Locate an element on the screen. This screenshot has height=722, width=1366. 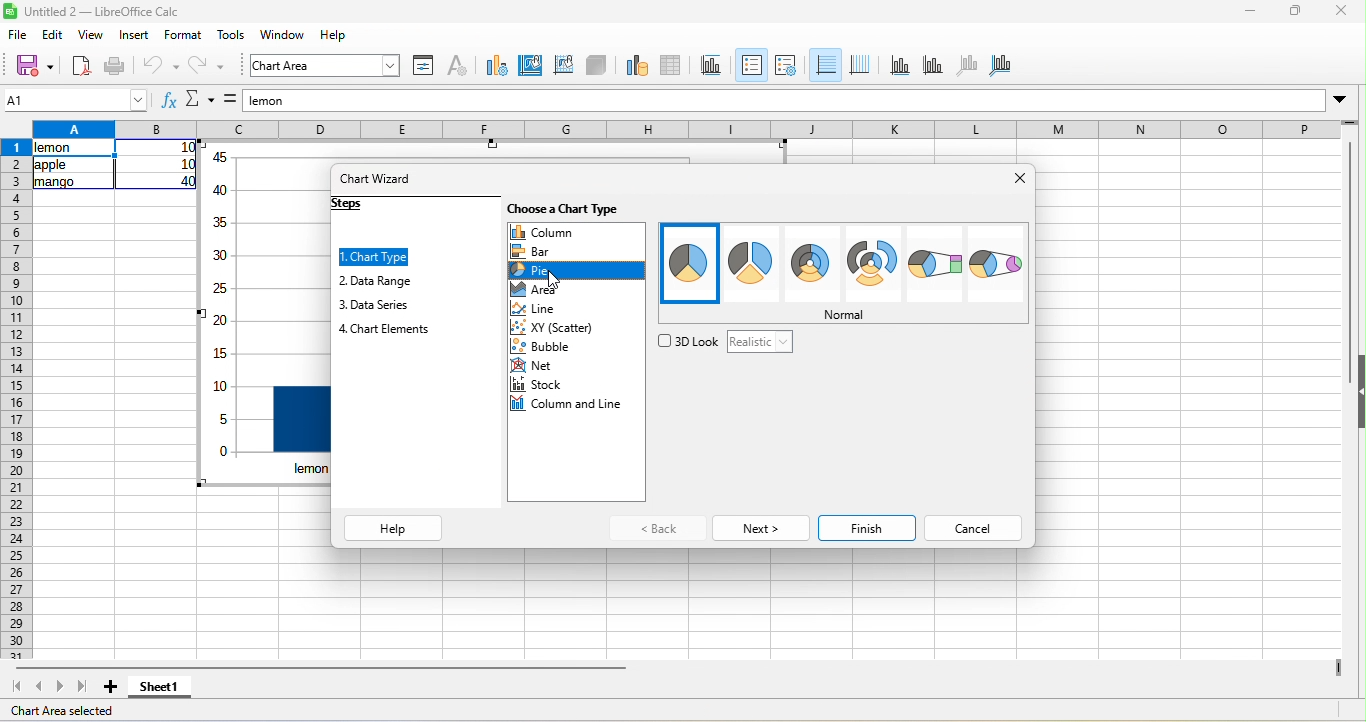
xy (scatter) is located at coordinates (566, 328).